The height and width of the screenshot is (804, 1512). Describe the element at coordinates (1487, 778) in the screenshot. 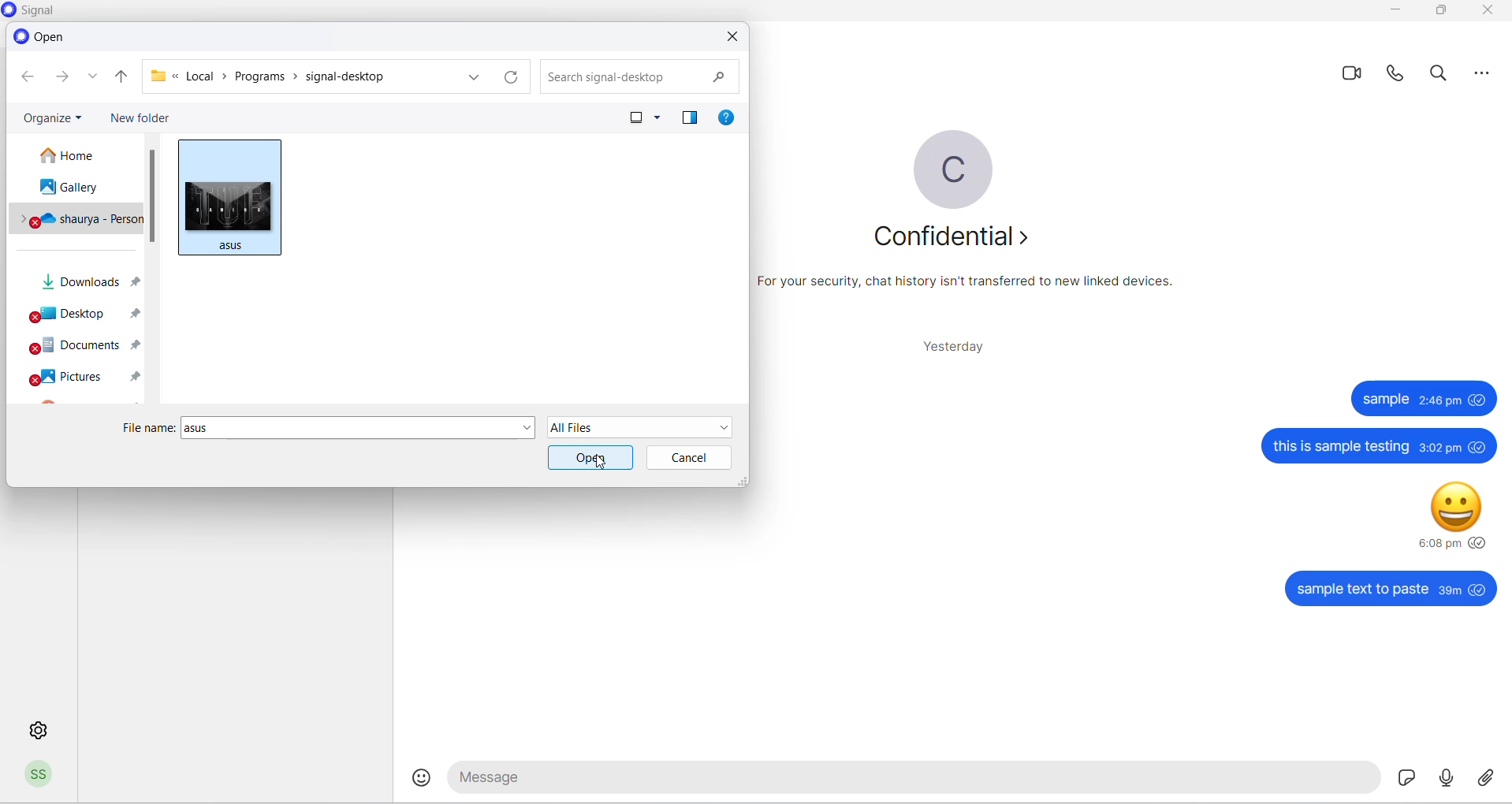

I see `share attachment` at that location.